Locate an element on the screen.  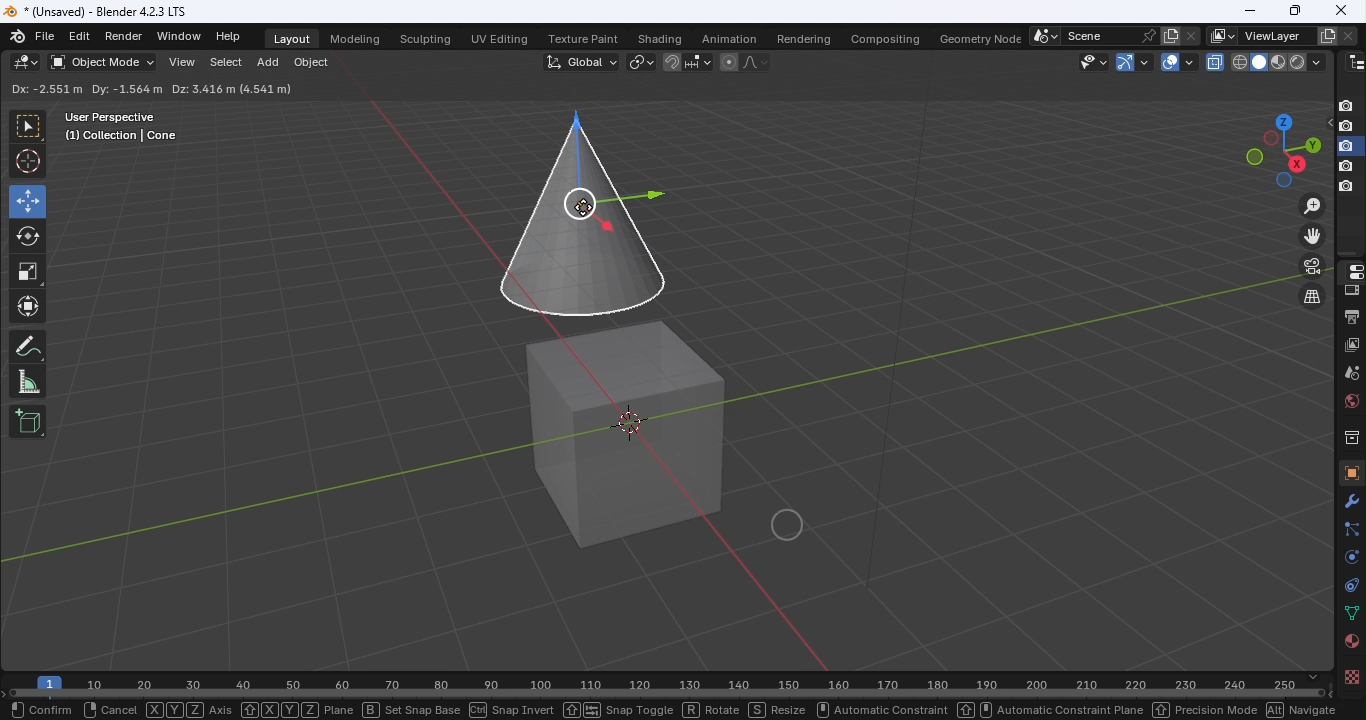
Browse scene to be linked is located at coordinates (1043, 34).